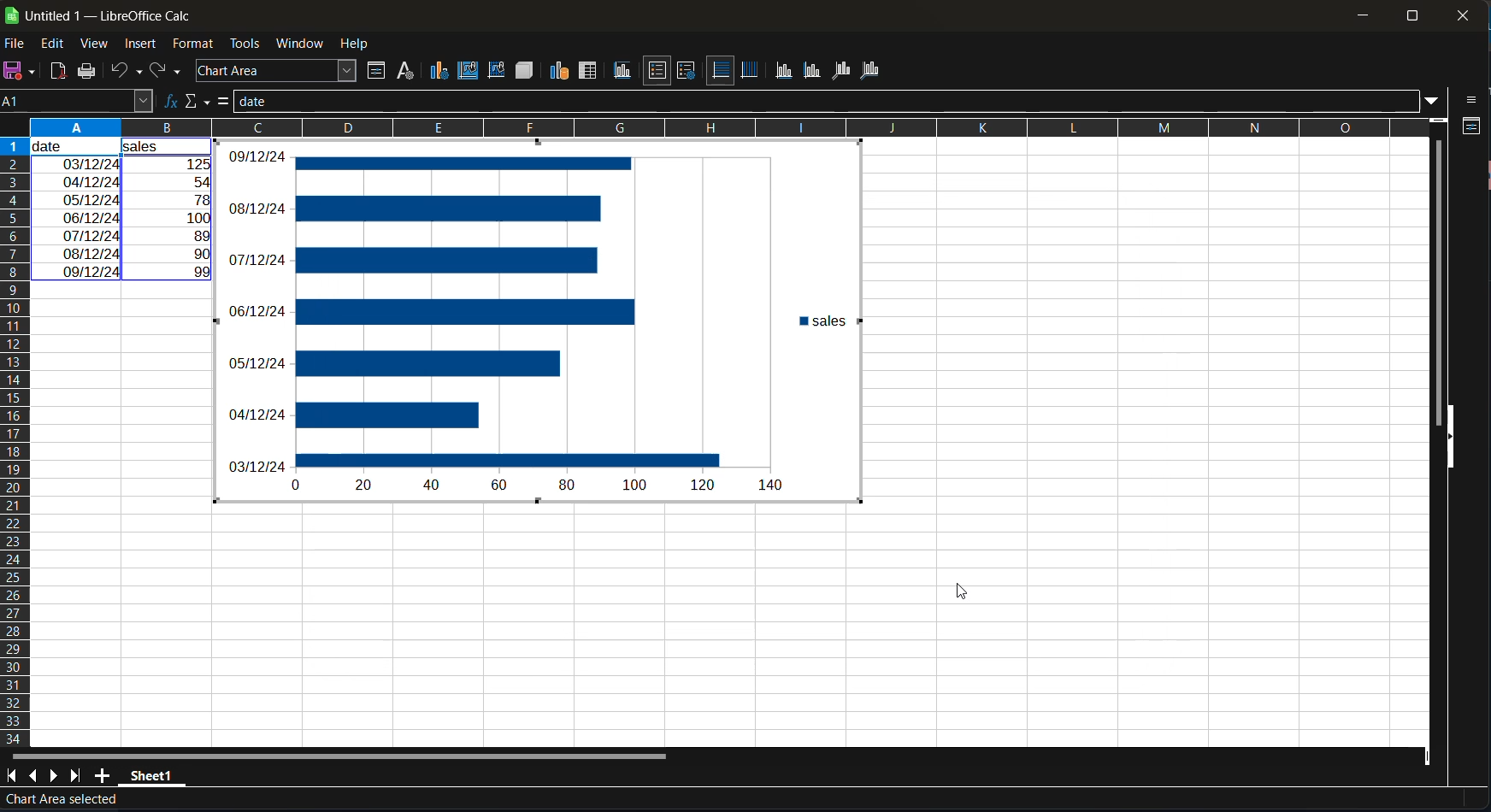  Describe the element at coordinates (152, 778) in the screenshot. I see `sheet name` at that location.